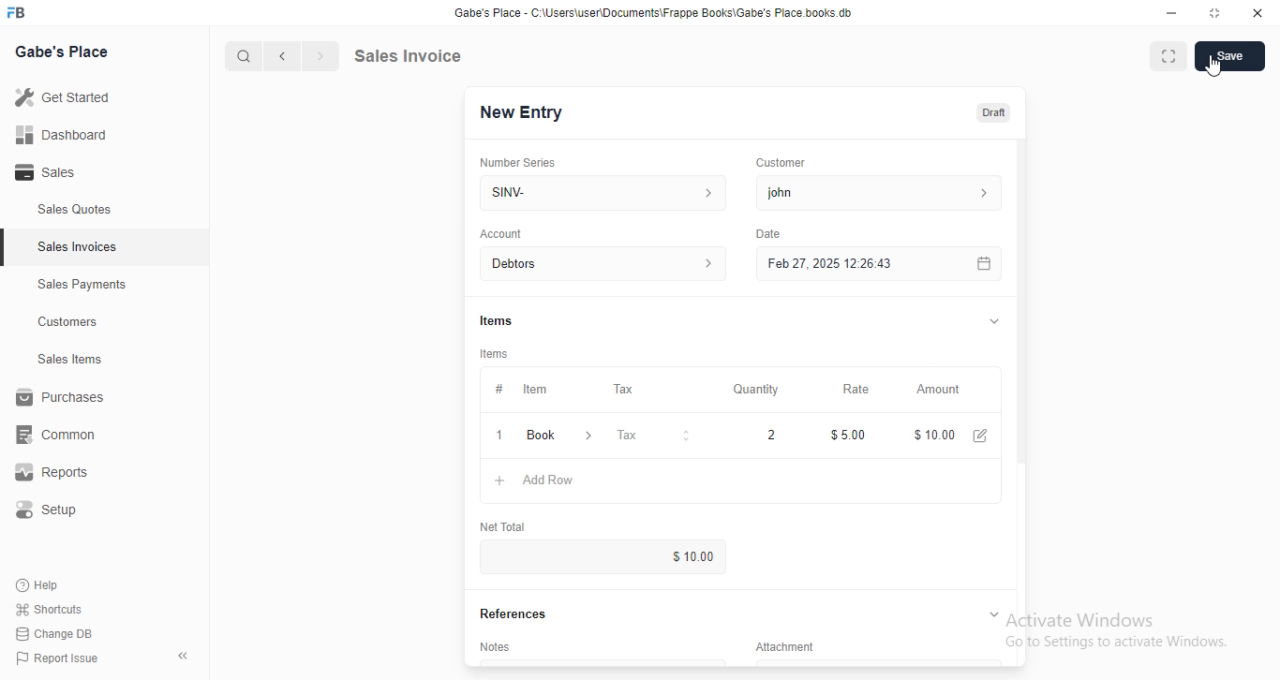  What do you see at coordinates (181, 653) in the screenshot?
I see `collapse` at bounding box center [181, 653].